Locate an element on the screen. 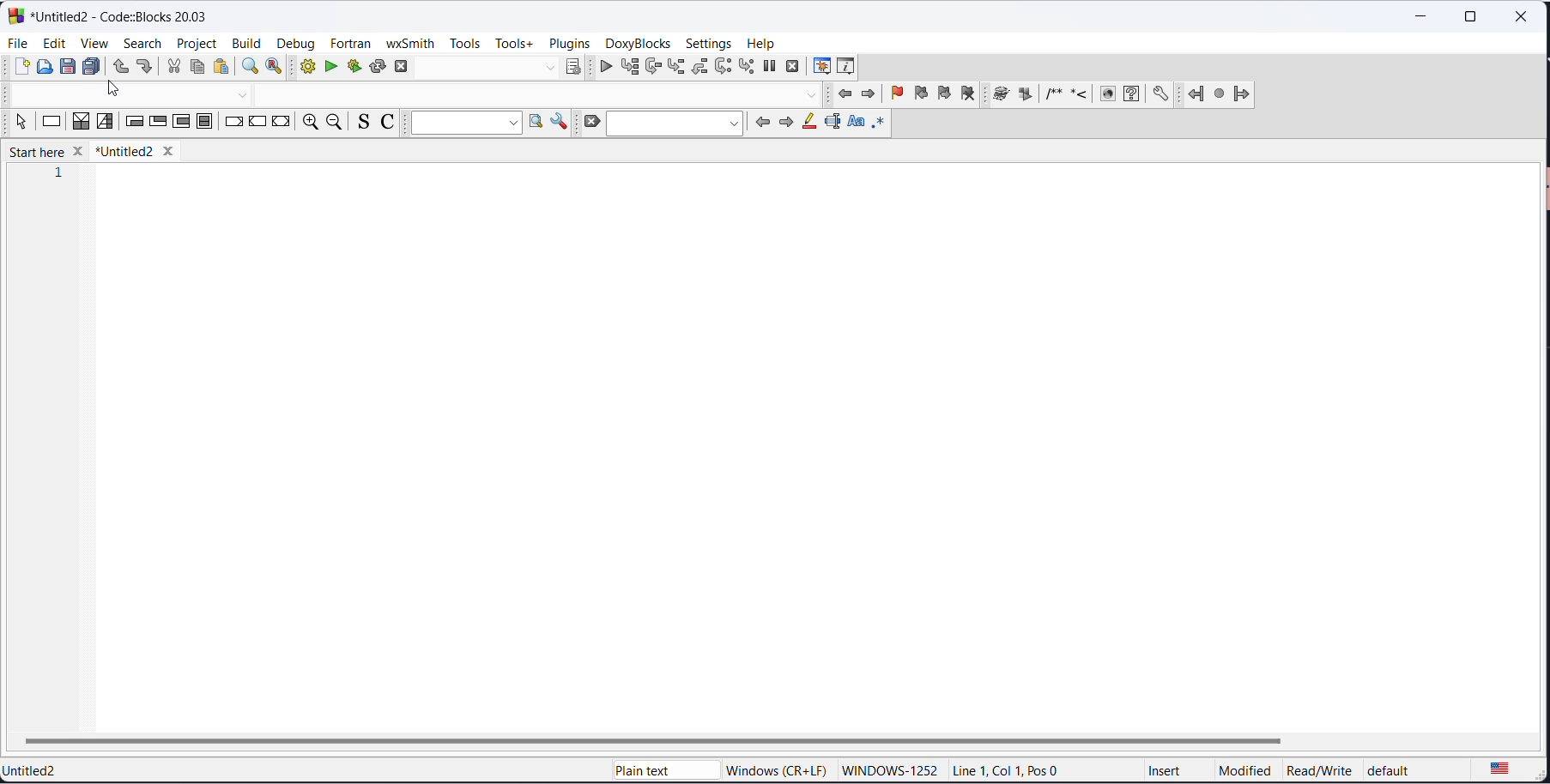 This screenshot has height=784, width=1550. line 1, Col 1, Pos 0 is located at coordinates (1010, 770).